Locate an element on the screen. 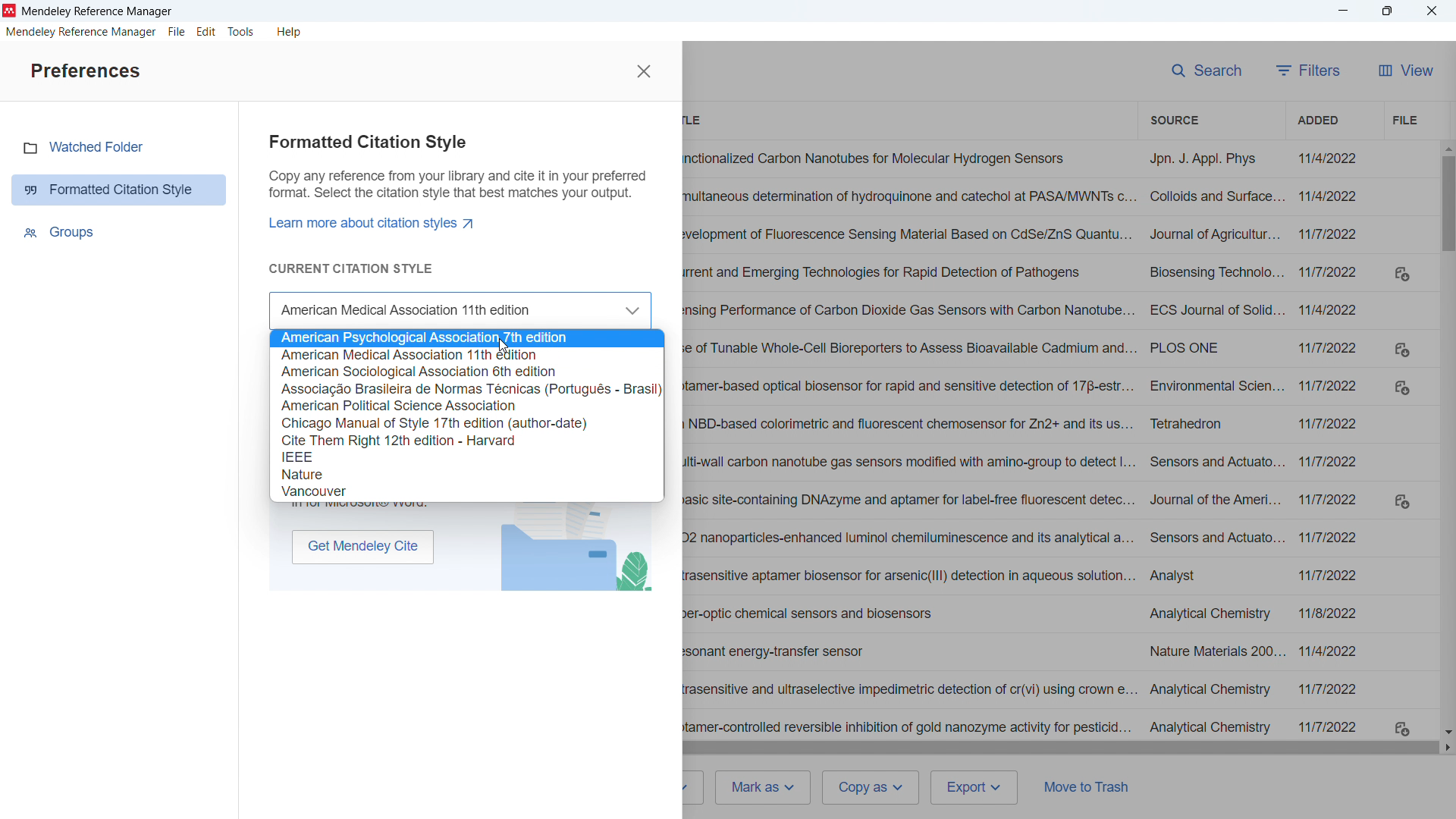 The image size is (1456, 819). filters is located at coordinates (1309, 71).